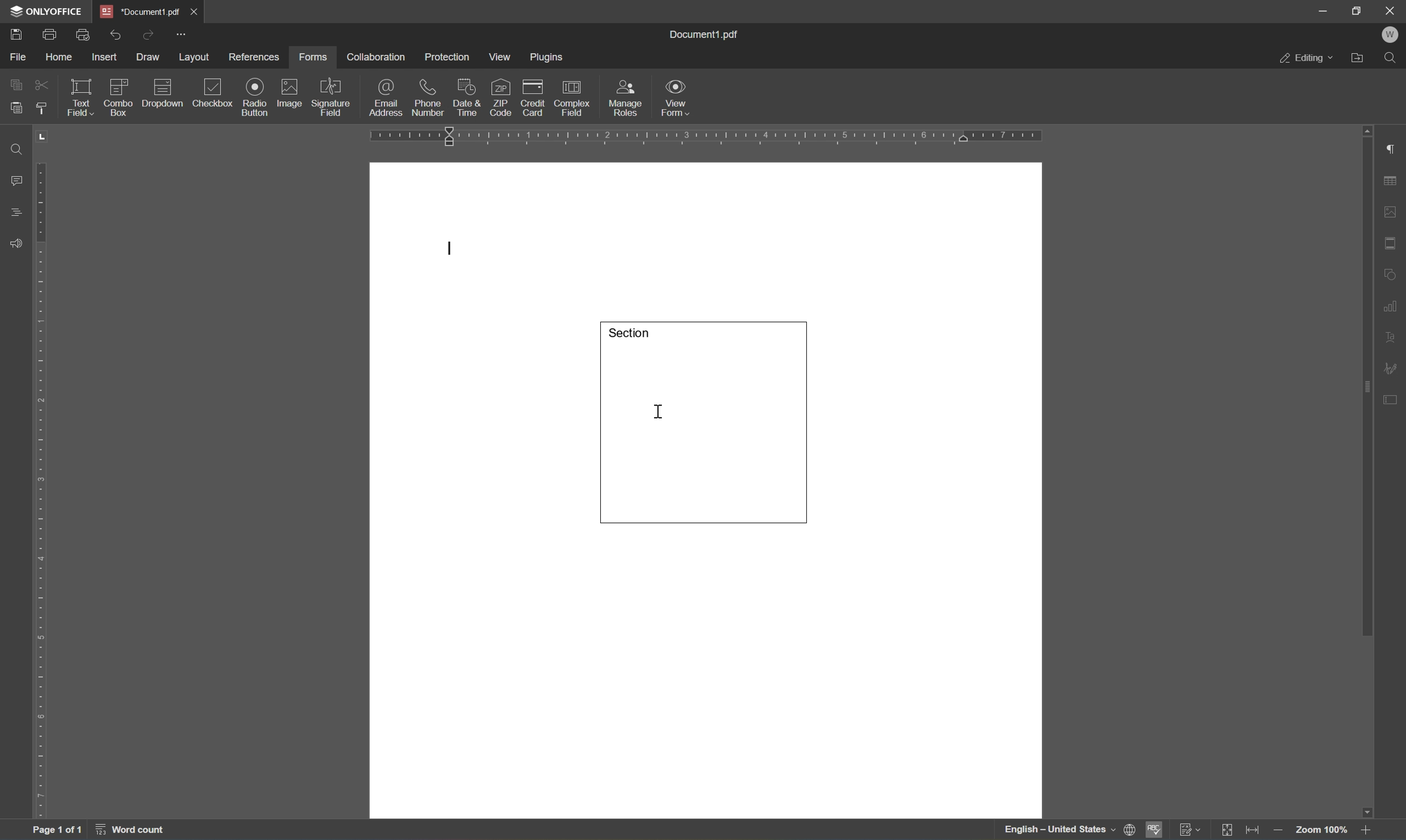 The image size is (1406, 840). Describe the element at coordinates (426, 98) in the screenshot. I see `phone number` at that location.